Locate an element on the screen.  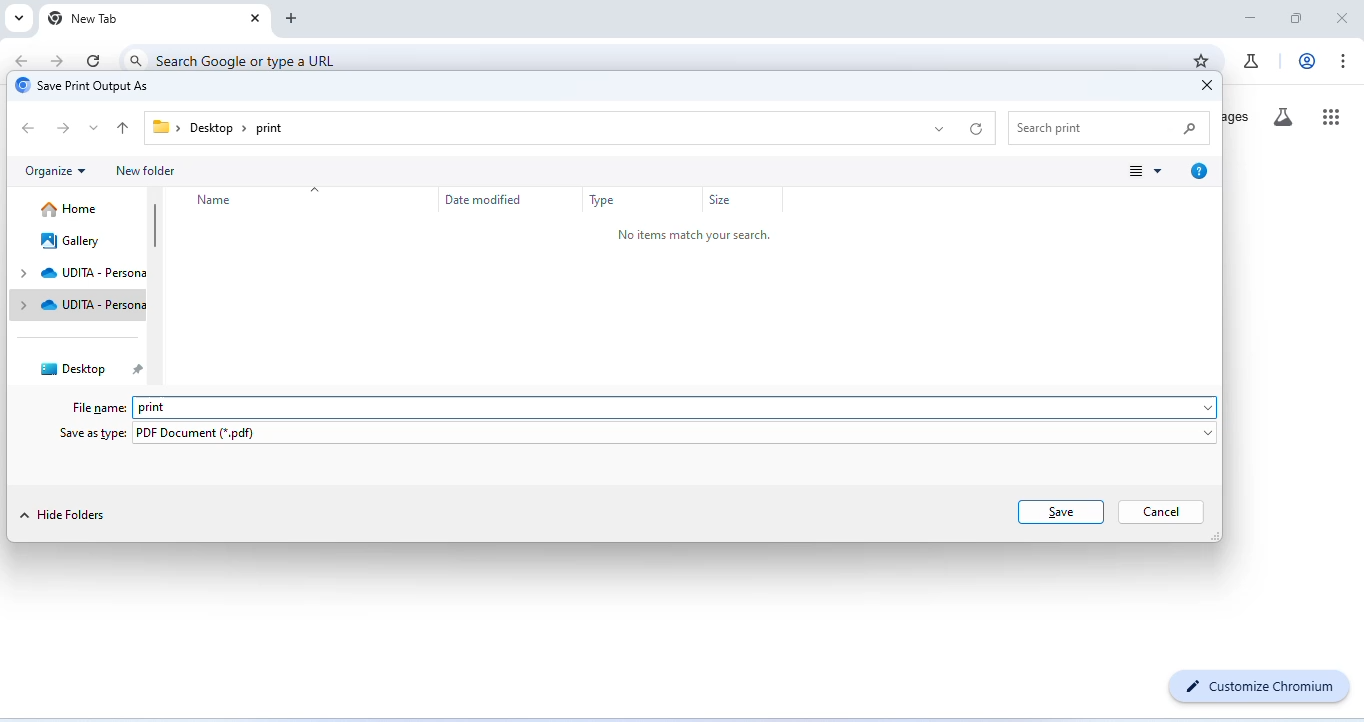
save as type is located at coordinates (92, 435).